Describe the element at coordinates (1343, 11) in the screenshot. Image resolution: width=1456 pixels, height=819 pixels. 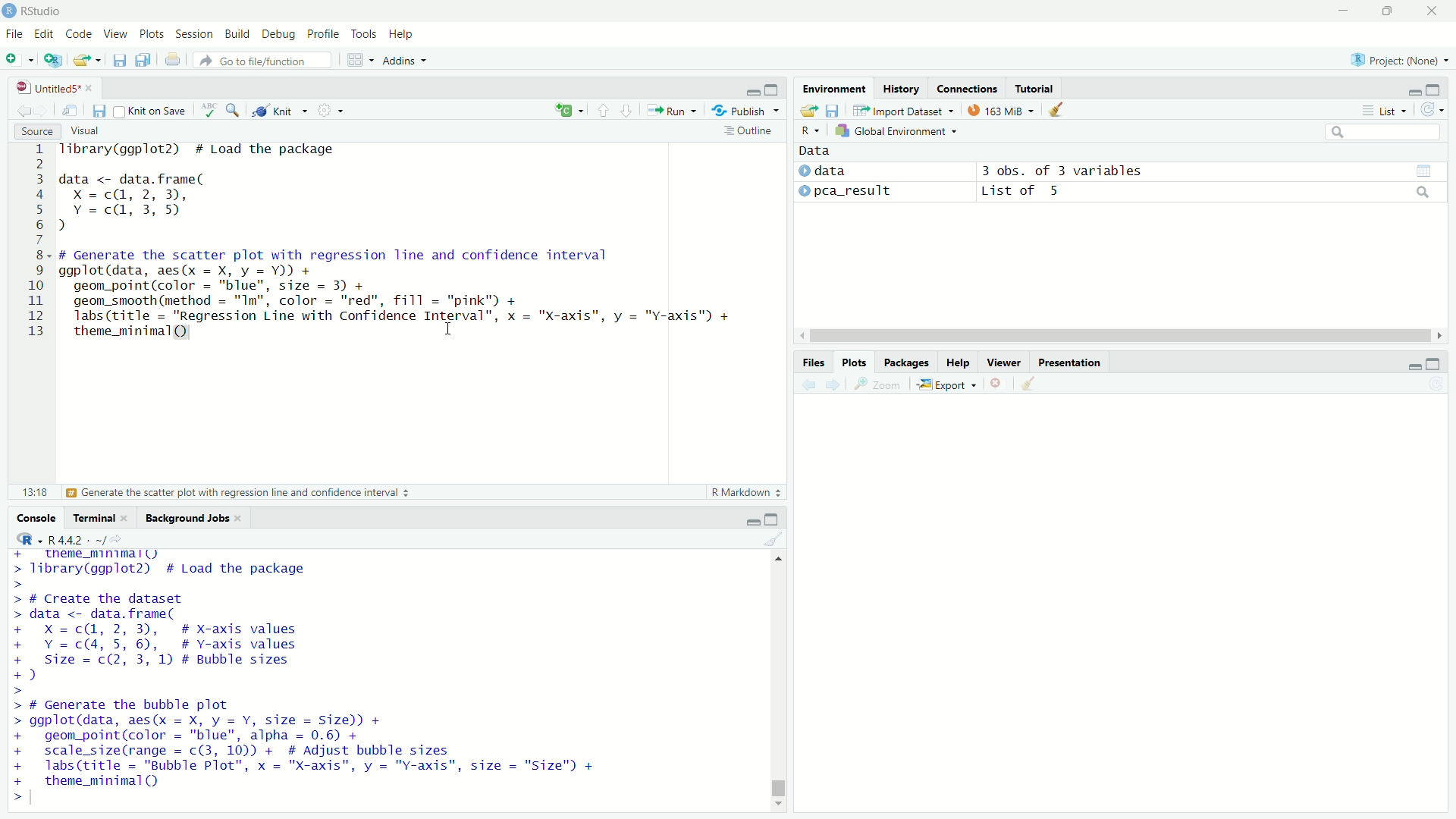
I see `minimize` at that location.